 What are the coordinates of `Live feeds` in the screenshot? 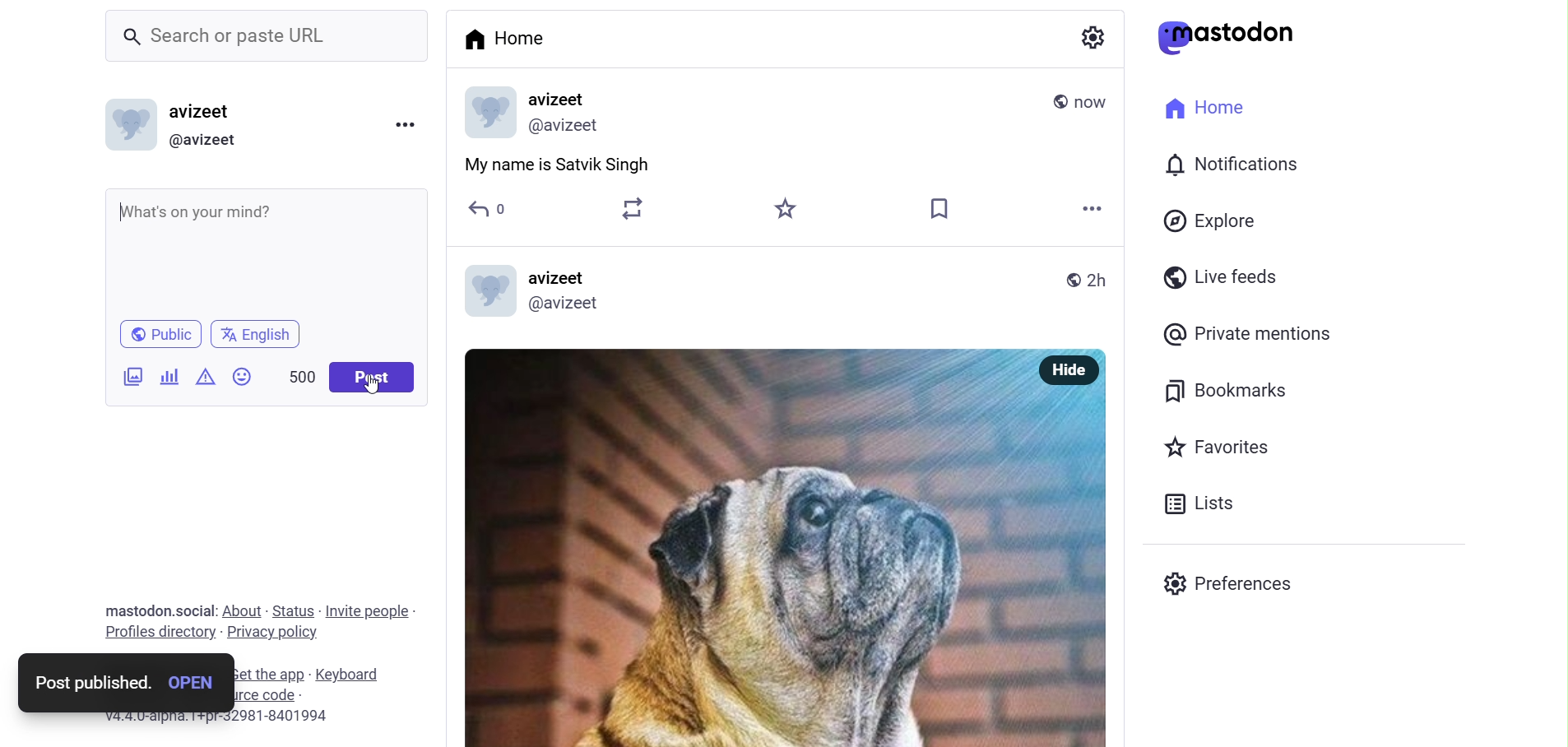 It's located at (1225, 281).